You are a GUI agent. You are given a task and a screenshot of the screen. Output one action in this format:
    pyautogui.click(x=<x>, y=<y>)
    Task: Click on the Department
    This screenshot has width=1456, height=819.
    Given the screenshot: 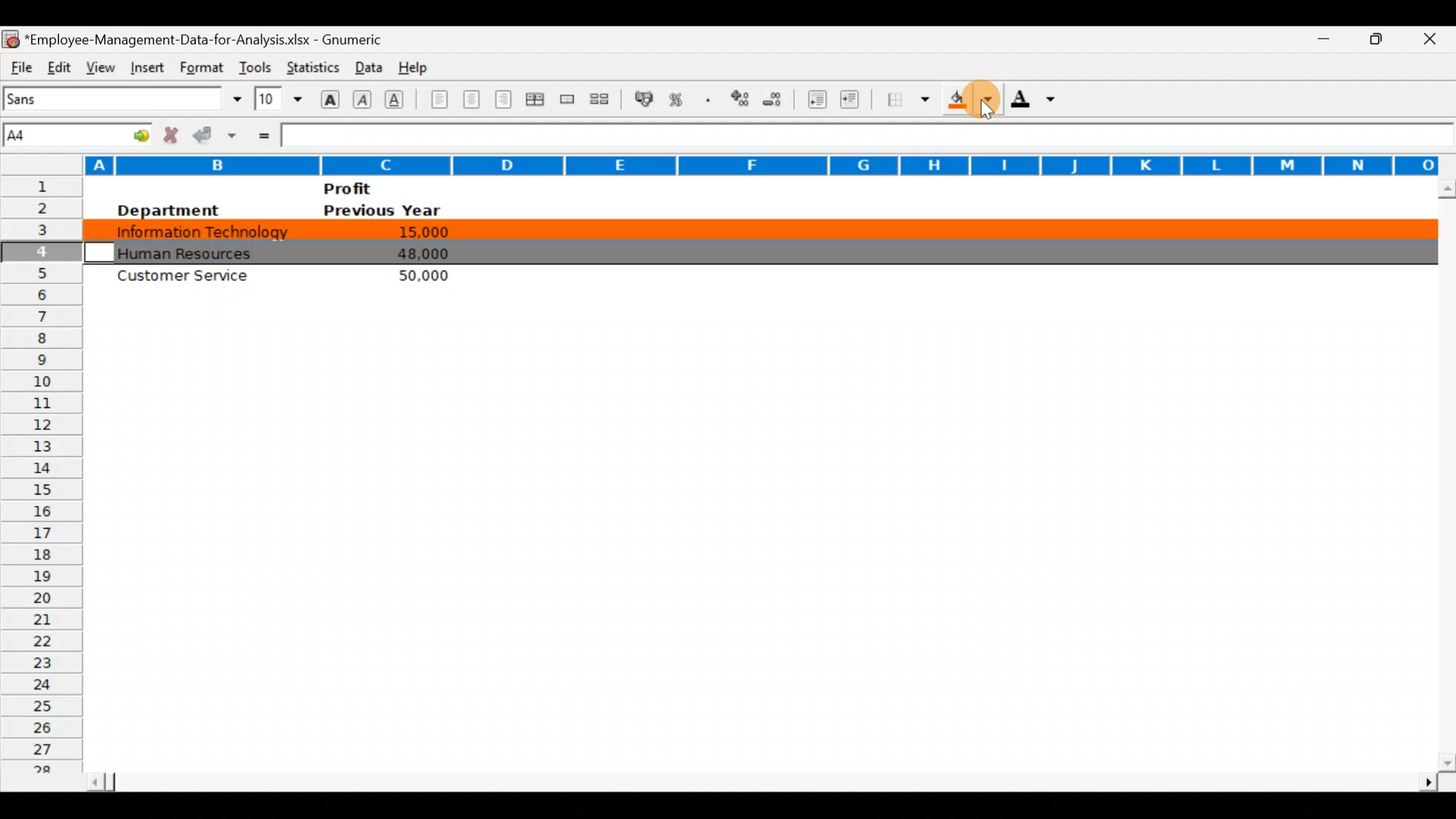 What is the action you would take?
    pyautogui.click(x=167, y=210)
    